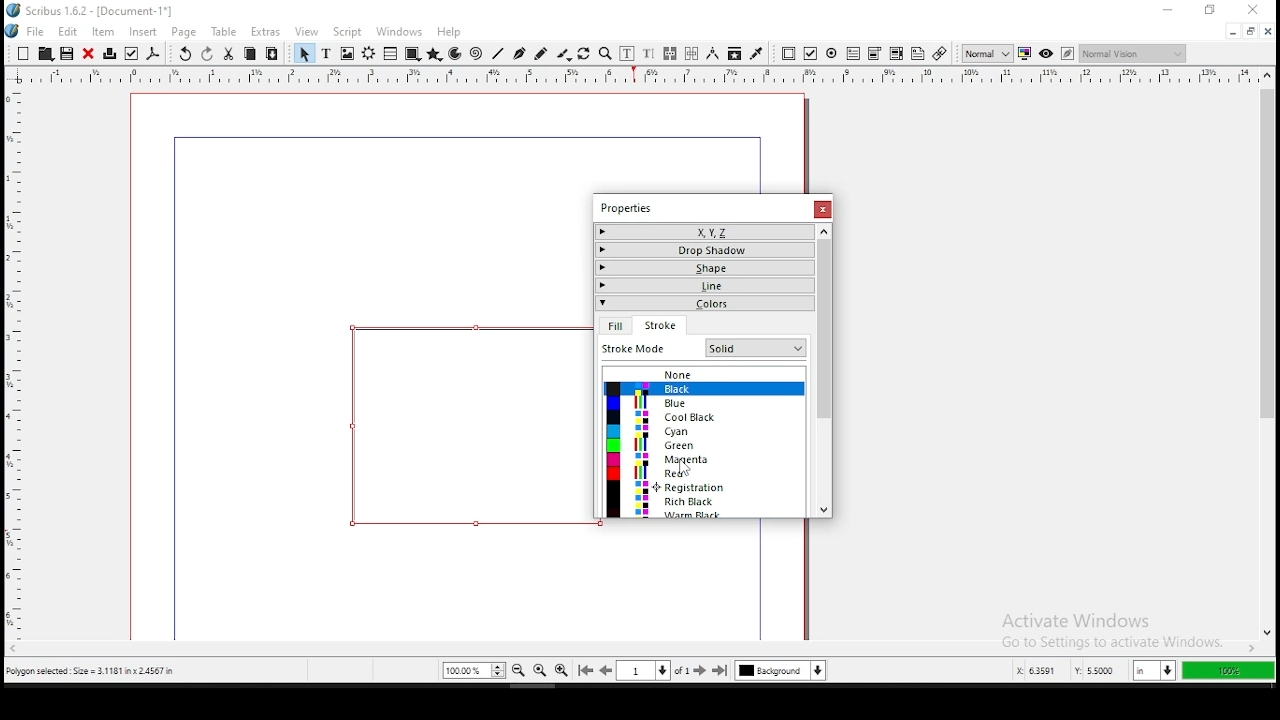  What do you see at coordinates (704, 233) in the screenshot?
I see `x,y,z` at bounding box center [704, 233].